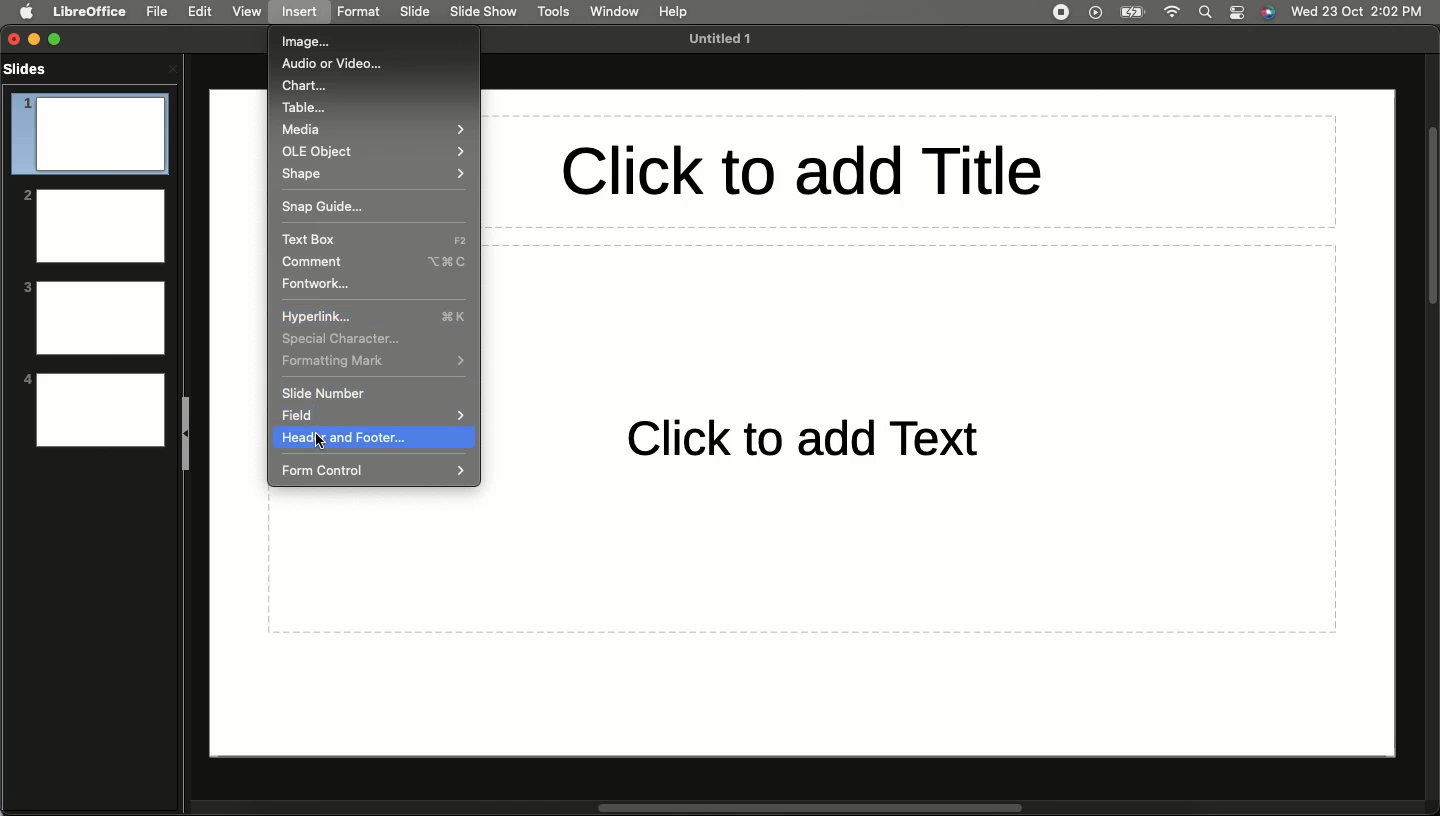 The height and width of the screenshot is (816, 1440). I want to click on Formatting mark, so click(375, 363).